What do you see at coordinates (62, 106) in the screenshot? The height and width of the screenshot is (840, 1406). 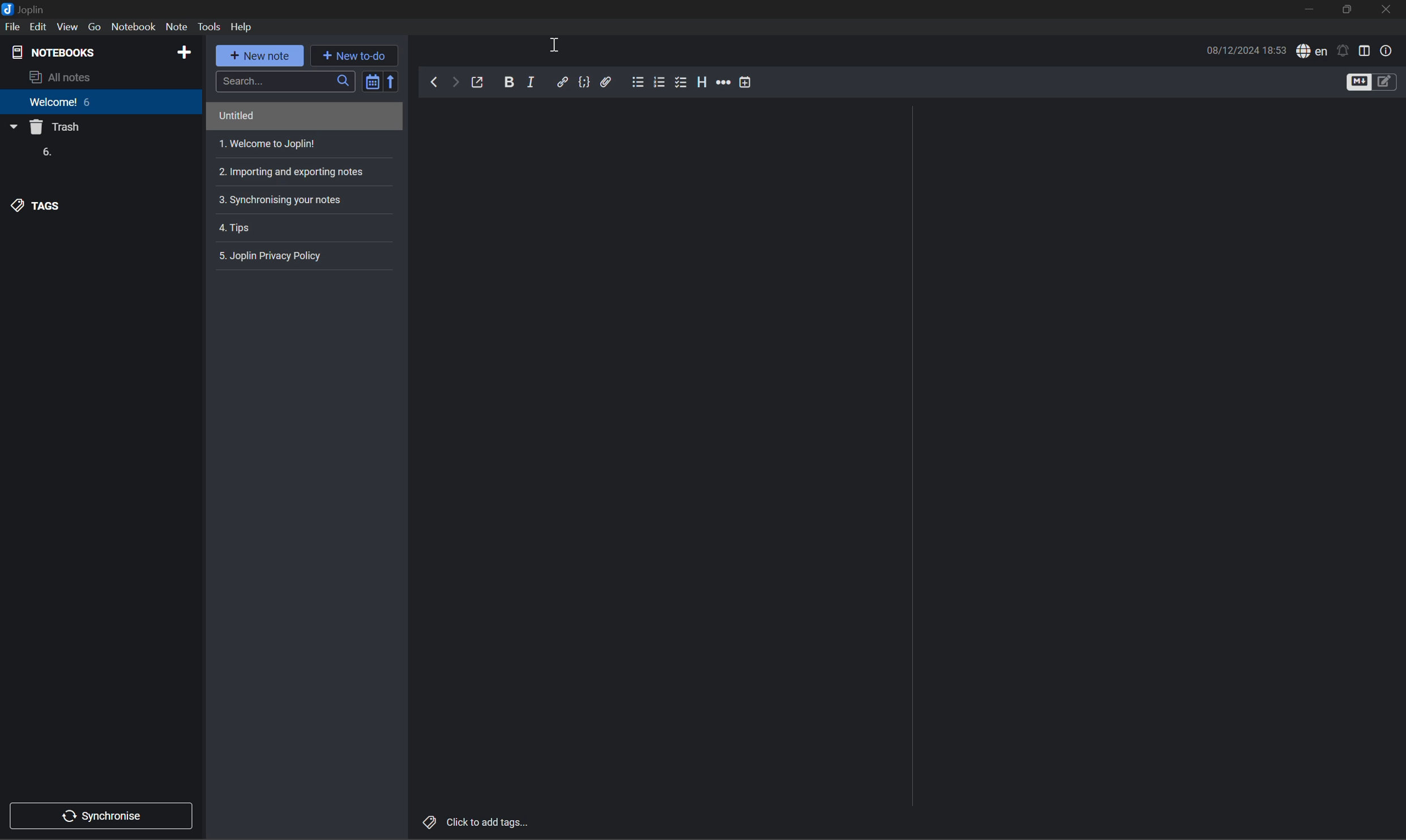 I see `Welcome 6` at bounding box center [62, 106].